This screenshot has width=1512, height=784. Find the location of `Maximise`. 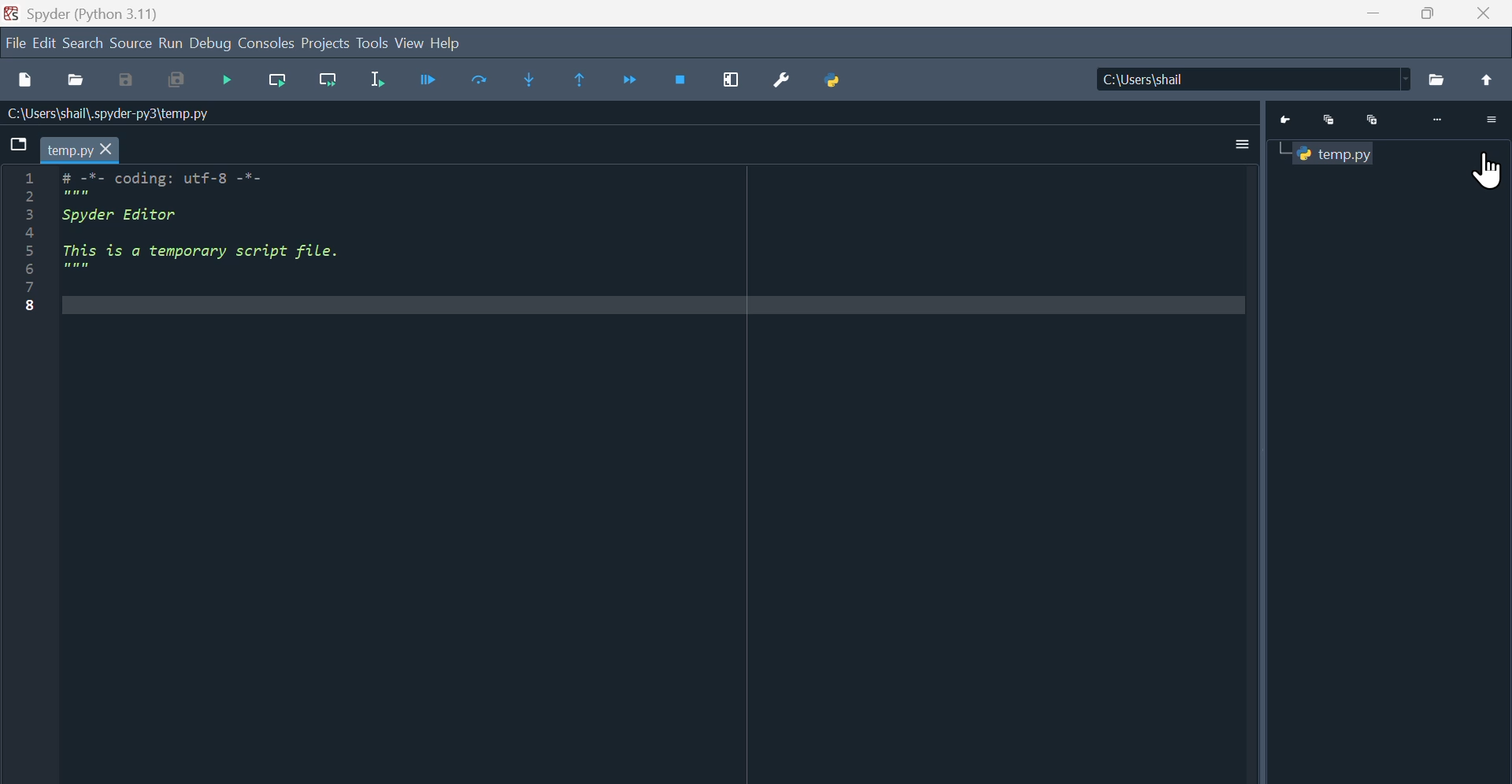

Maximise is located at coordinates (1431, 12).